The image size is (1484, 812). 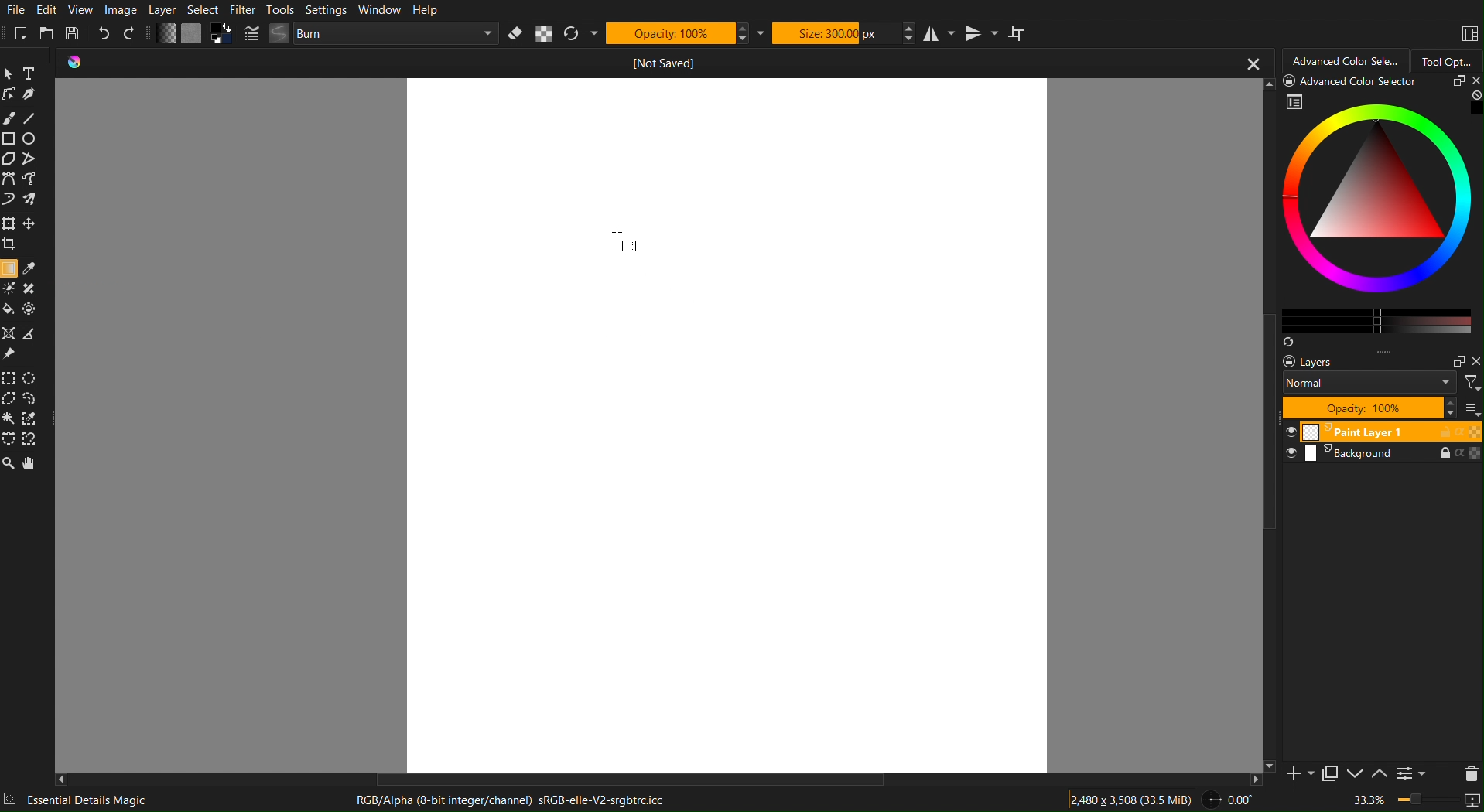 I want to click on Workspaces, so click(x=1469, y=34).